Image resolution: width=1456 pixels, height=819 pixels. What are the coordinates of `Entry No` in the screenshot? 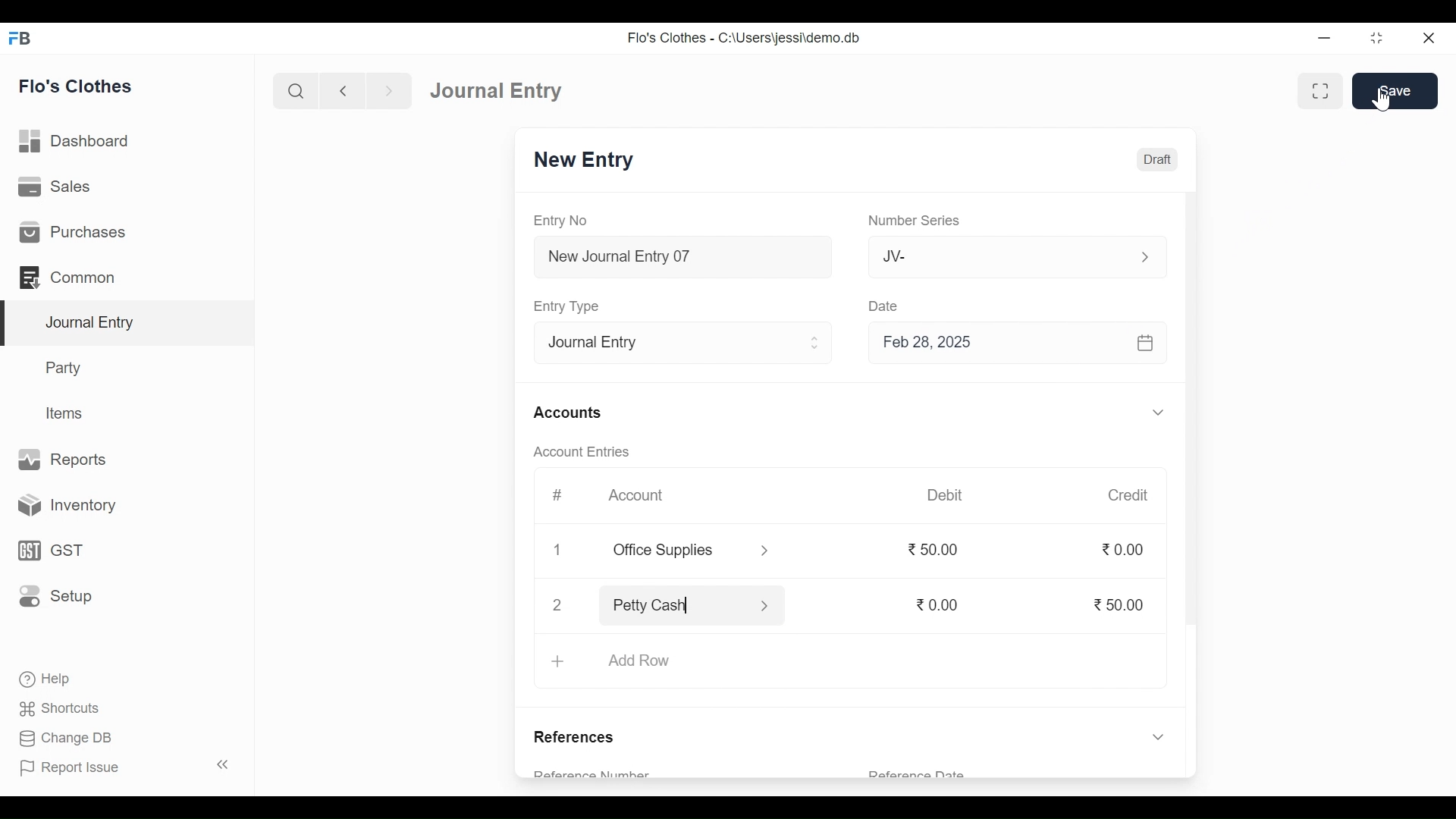 It's located at (560, 220).